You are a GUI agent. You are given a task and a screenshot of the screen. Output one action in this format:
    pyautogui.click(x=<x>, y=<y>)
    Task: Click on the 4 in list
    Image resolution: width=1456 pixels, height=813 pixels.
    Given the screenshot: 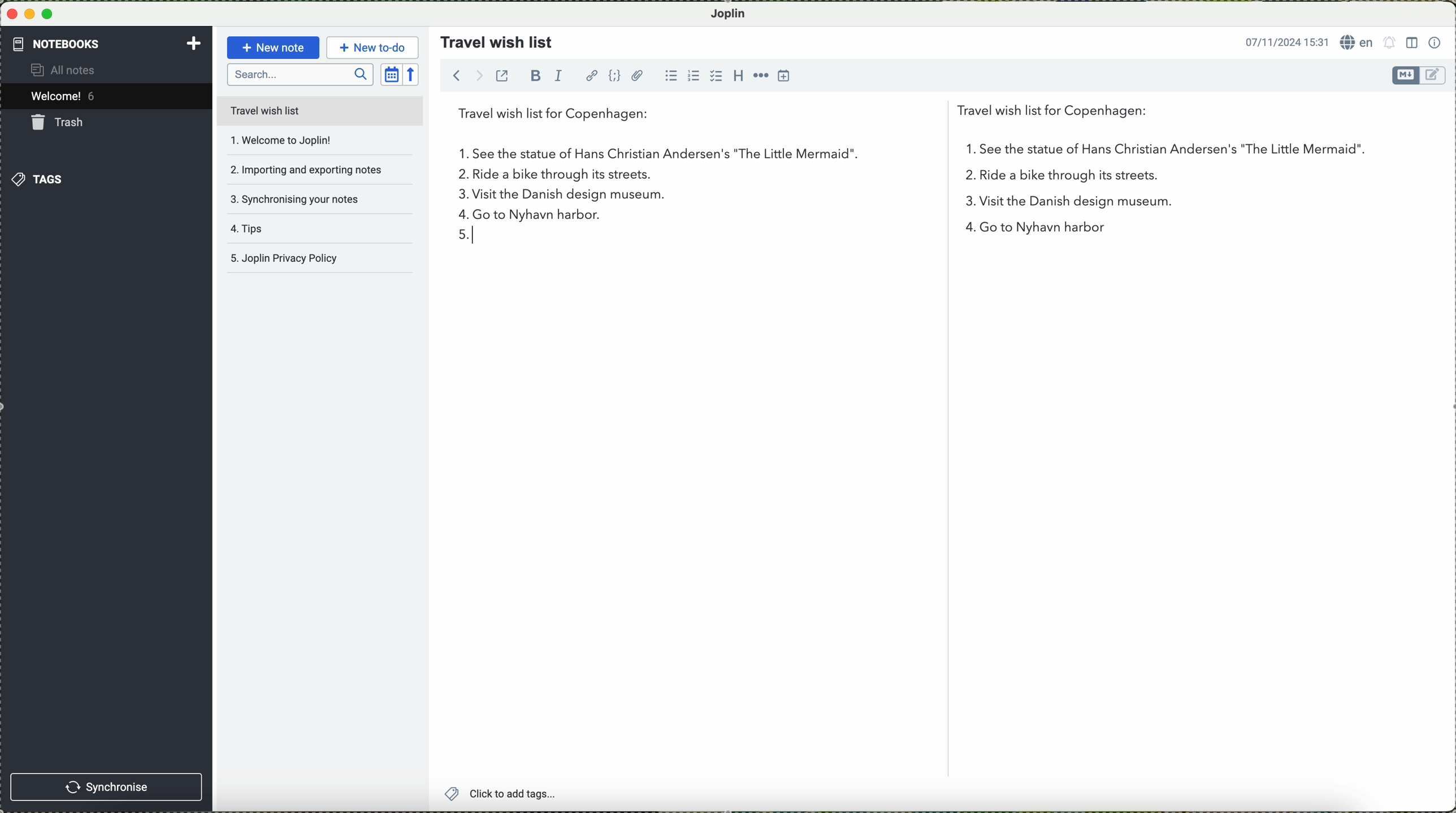 What is the action you would take?
    pyautogui.click(x=461, y=215)
    